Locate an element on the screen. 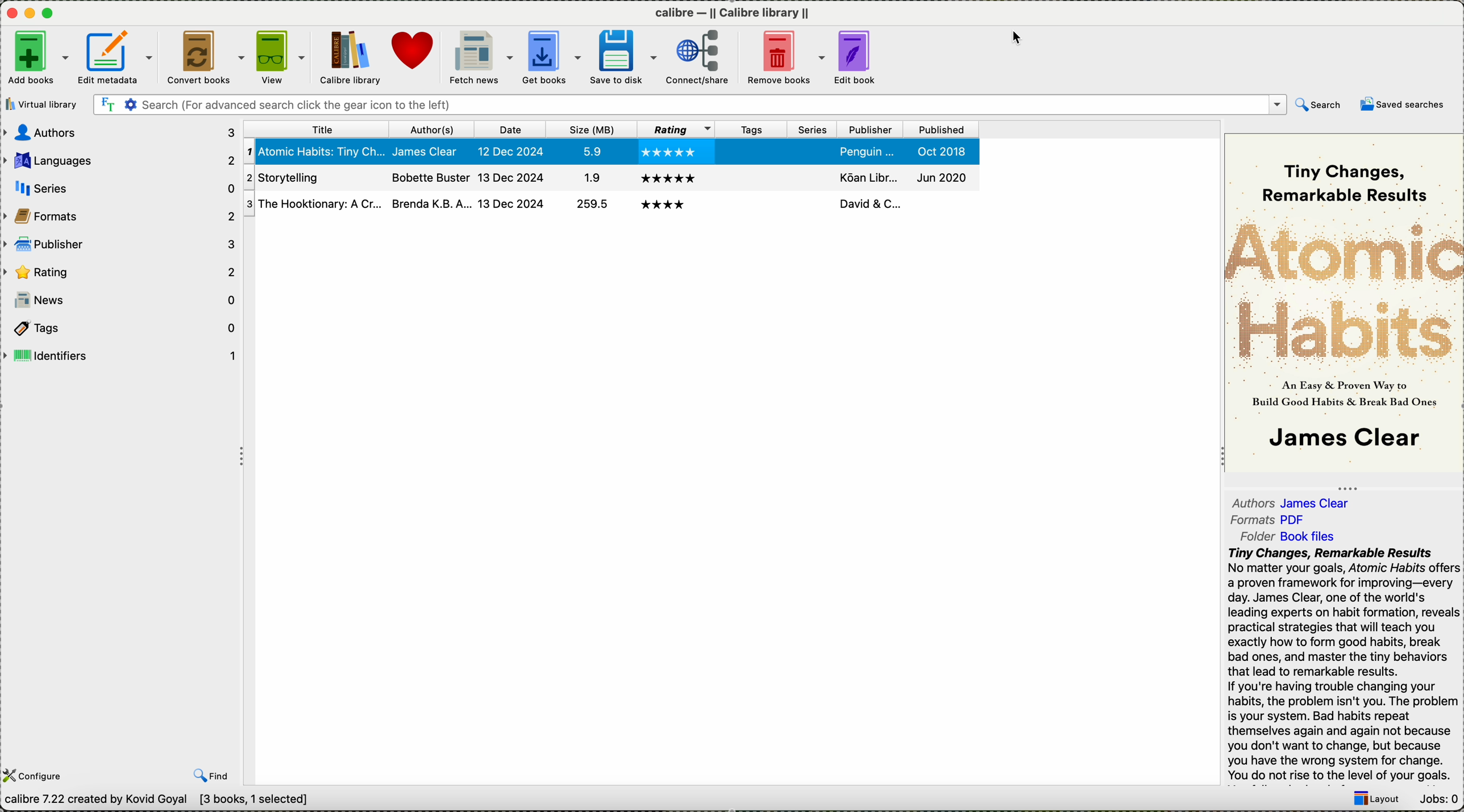  cursor is located at coordinates (1018, 38).